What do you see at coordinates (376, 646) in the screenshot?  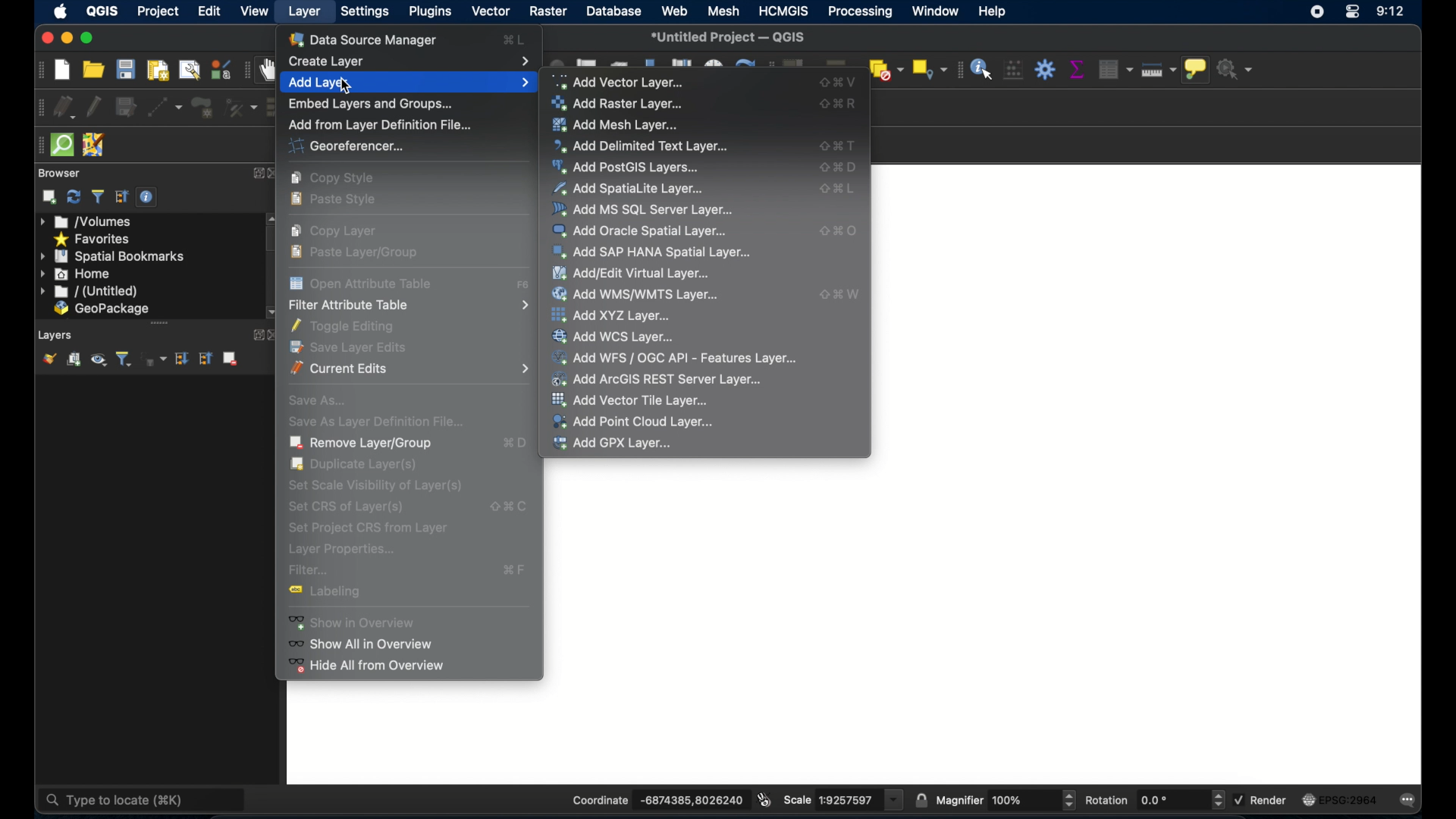 I see `Show all in overview` at bounding box center [376, 646].